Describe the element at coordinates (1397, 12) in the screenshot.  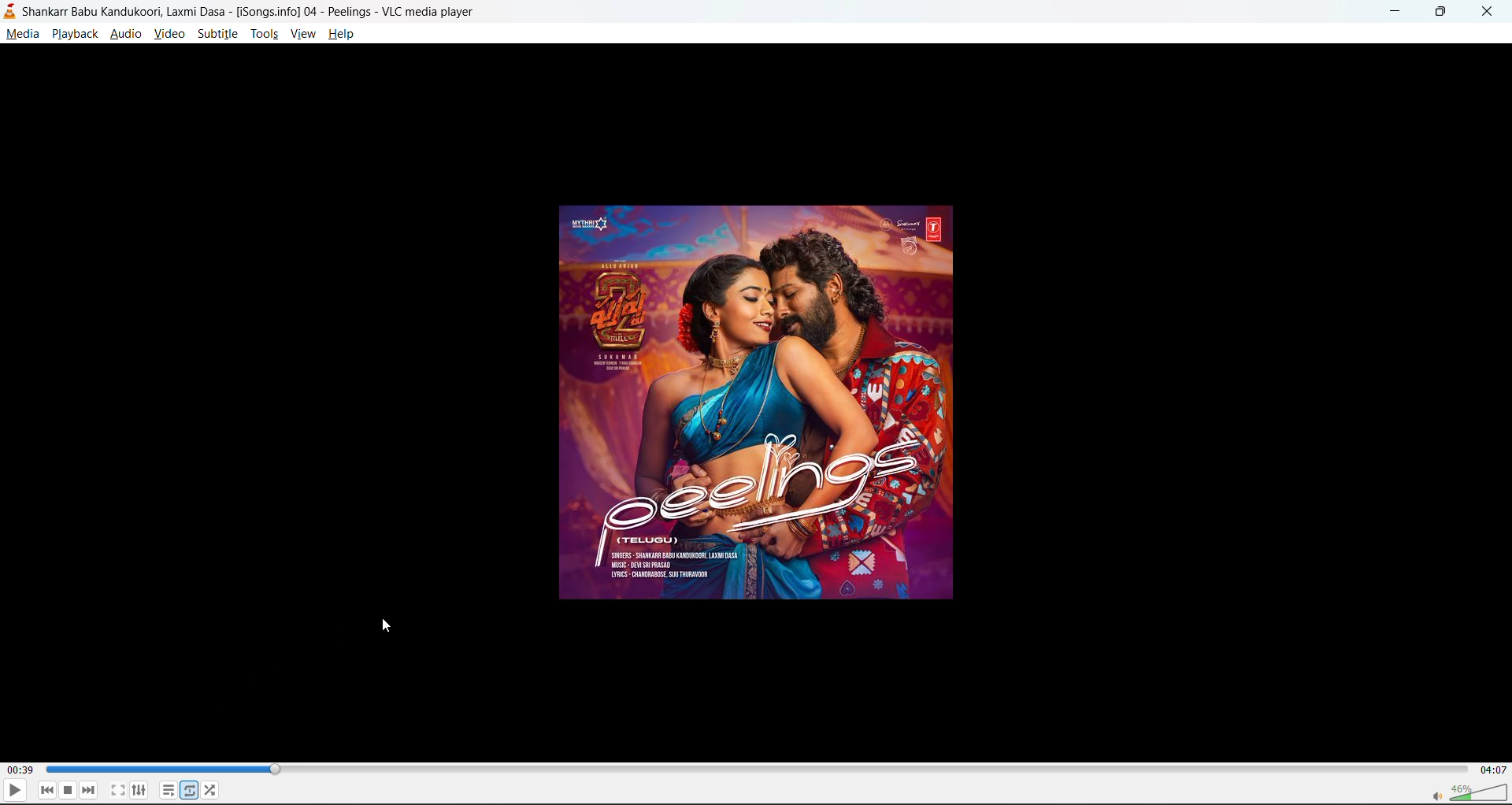
I see `minimize` at that location.